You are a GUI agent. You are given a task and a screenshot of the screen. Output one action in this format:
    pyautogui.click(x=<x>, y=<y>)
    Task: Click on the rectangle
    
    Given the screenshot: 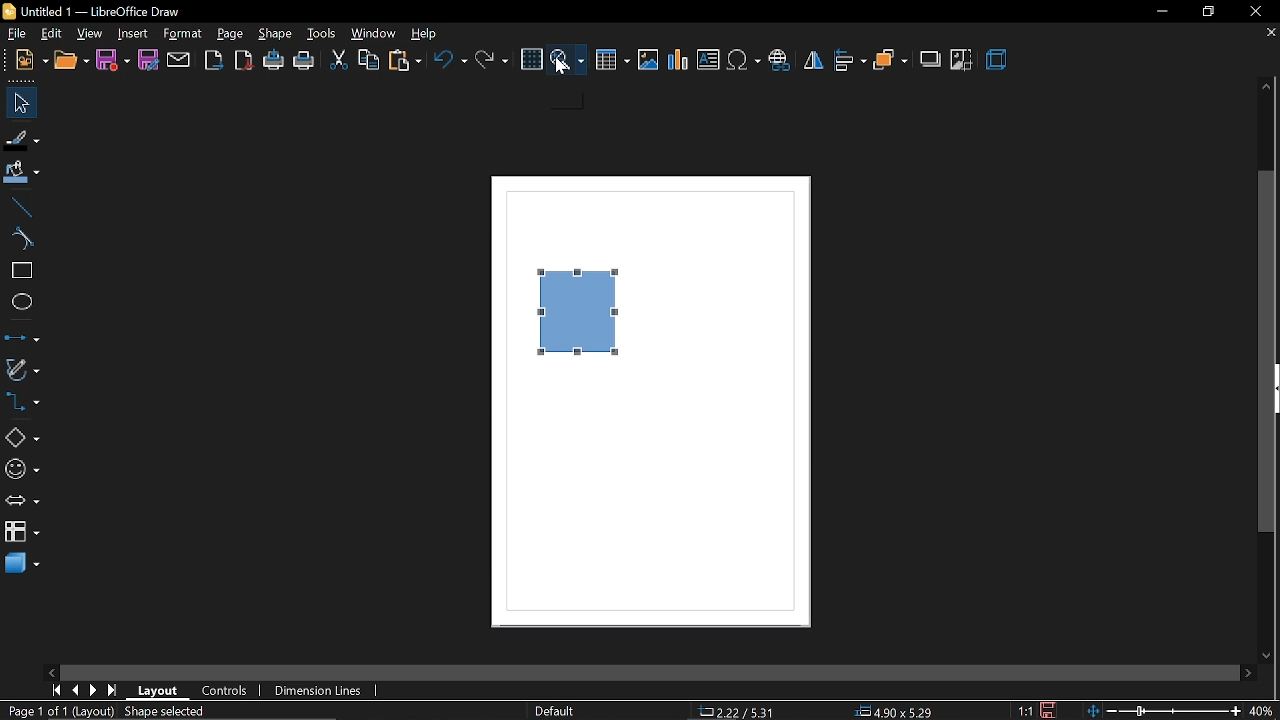 What is the action you would take?
    pyautogui.click(x=20, y=269)
    